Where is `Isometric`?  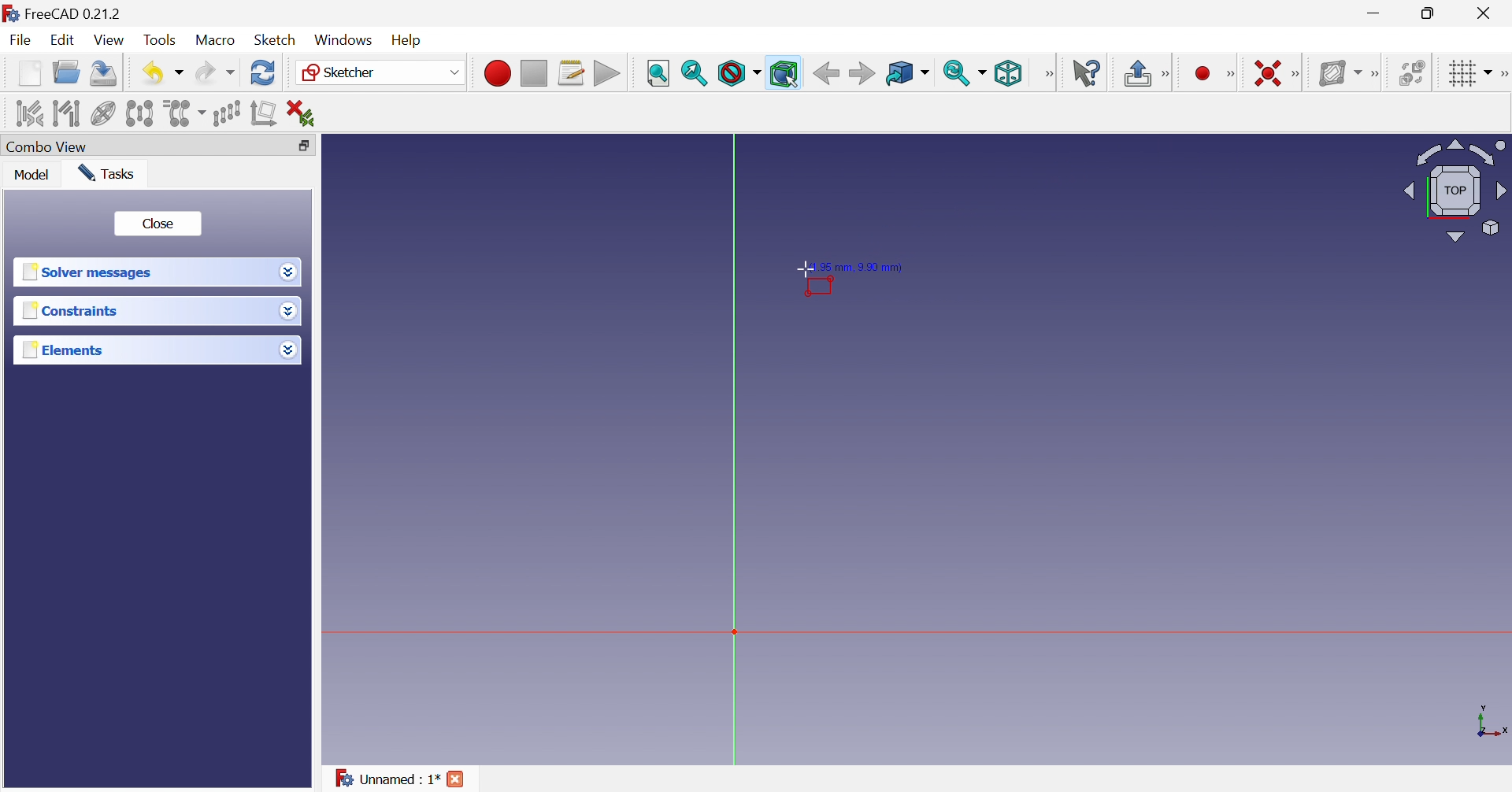 Isometric is located at coordinates (1011, 72).